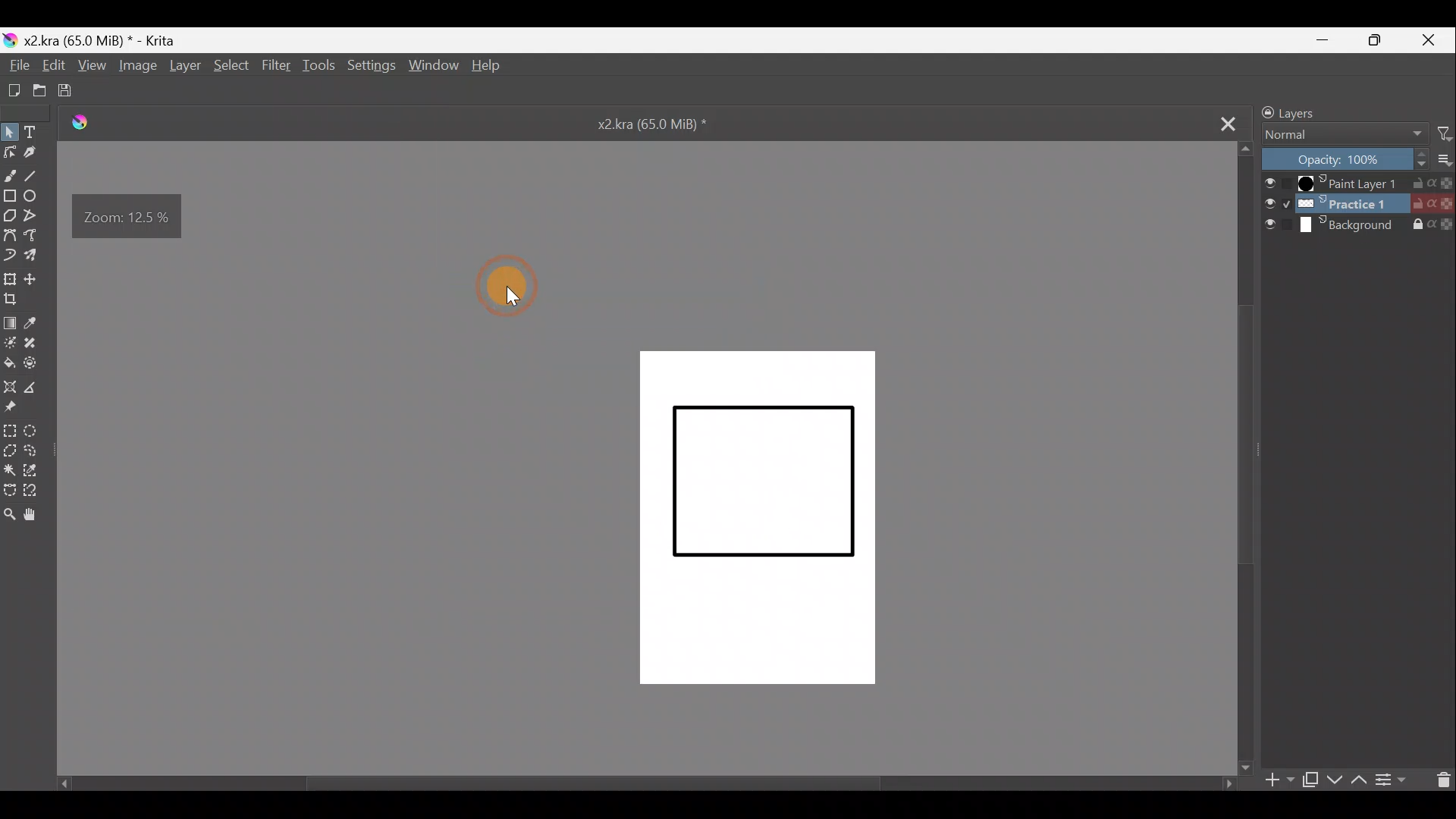 This screenshot has height=819, width=1456. Describe the element at coordinates (17, 407) in the screenshot. I see `Reference images tool` at that location.